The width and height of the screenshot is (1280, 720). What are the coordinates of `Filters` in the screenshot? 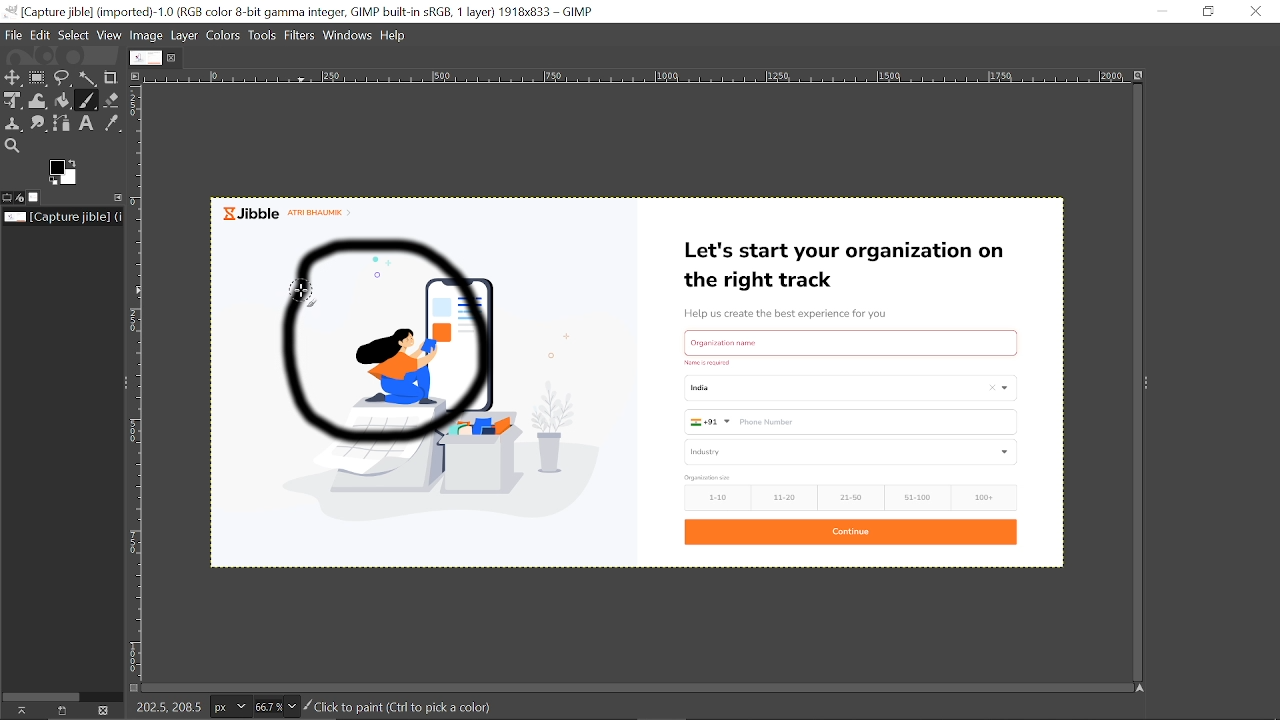 It's located at (301, 37).